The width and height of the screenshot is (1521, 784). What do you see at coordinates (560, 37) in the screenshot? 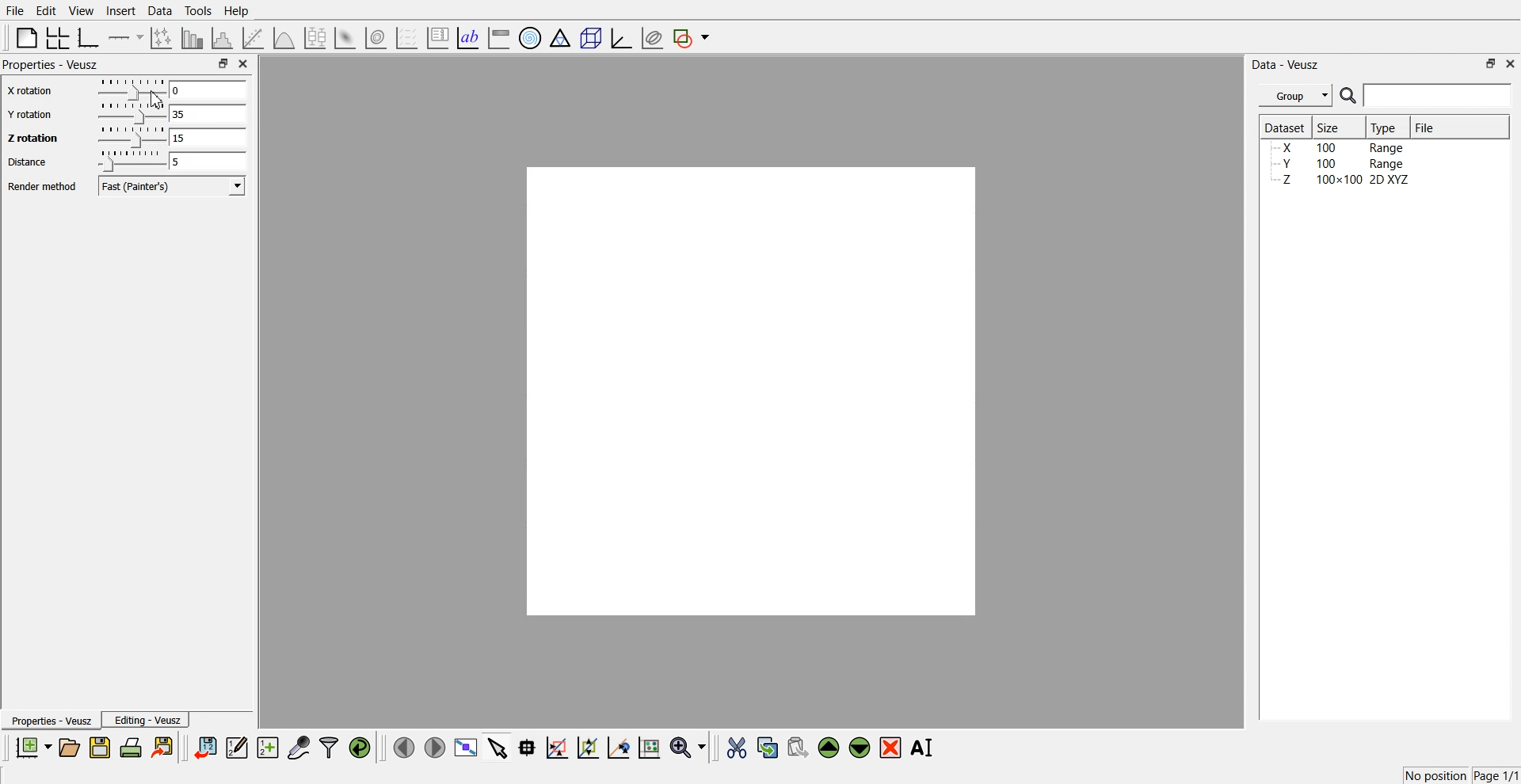
I see `Ternary Graph` at bounding box center [560, 37].